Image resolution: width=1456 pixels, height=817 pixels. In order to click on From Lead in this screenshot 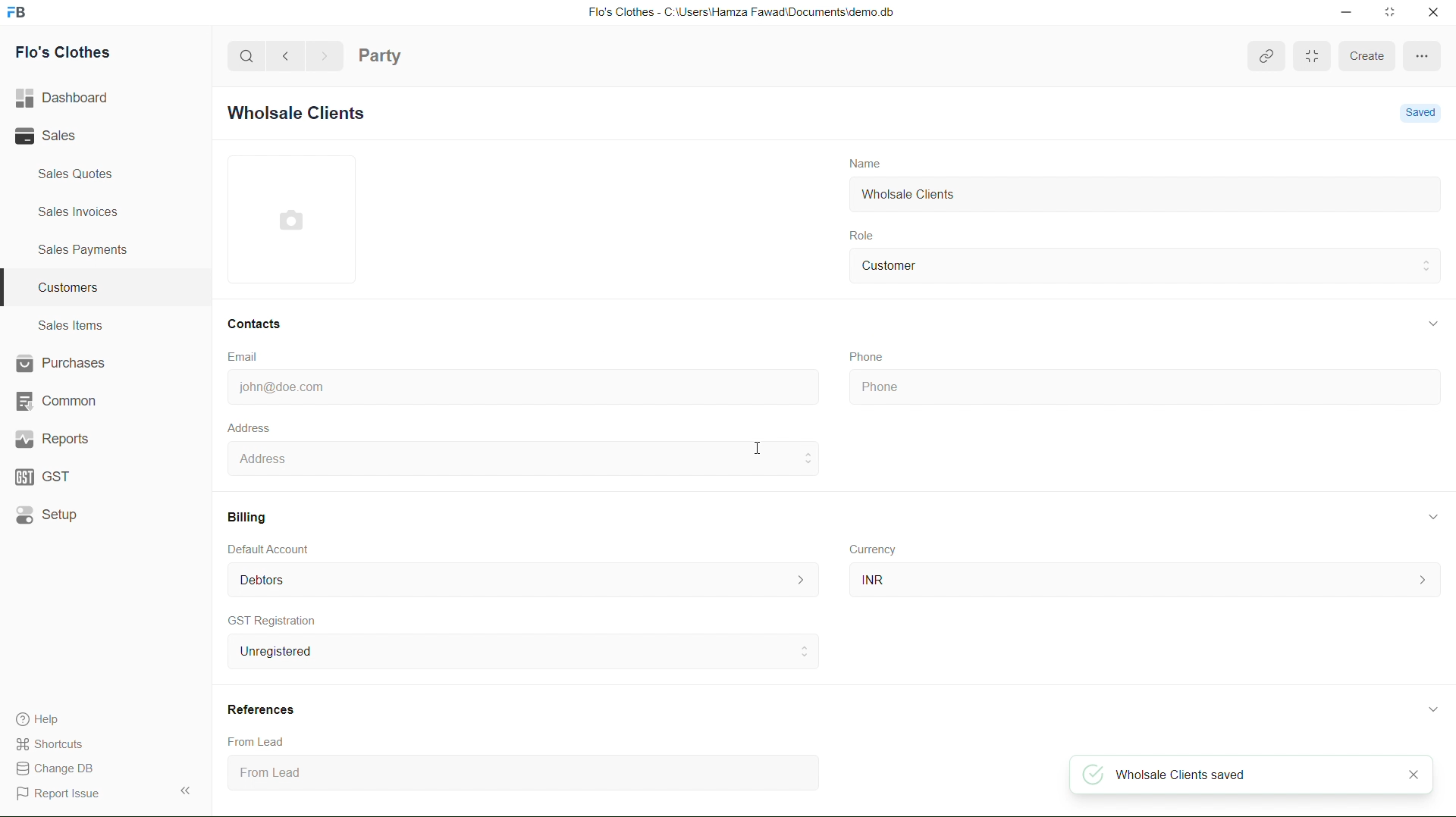, I will do `click(261, 740)`.